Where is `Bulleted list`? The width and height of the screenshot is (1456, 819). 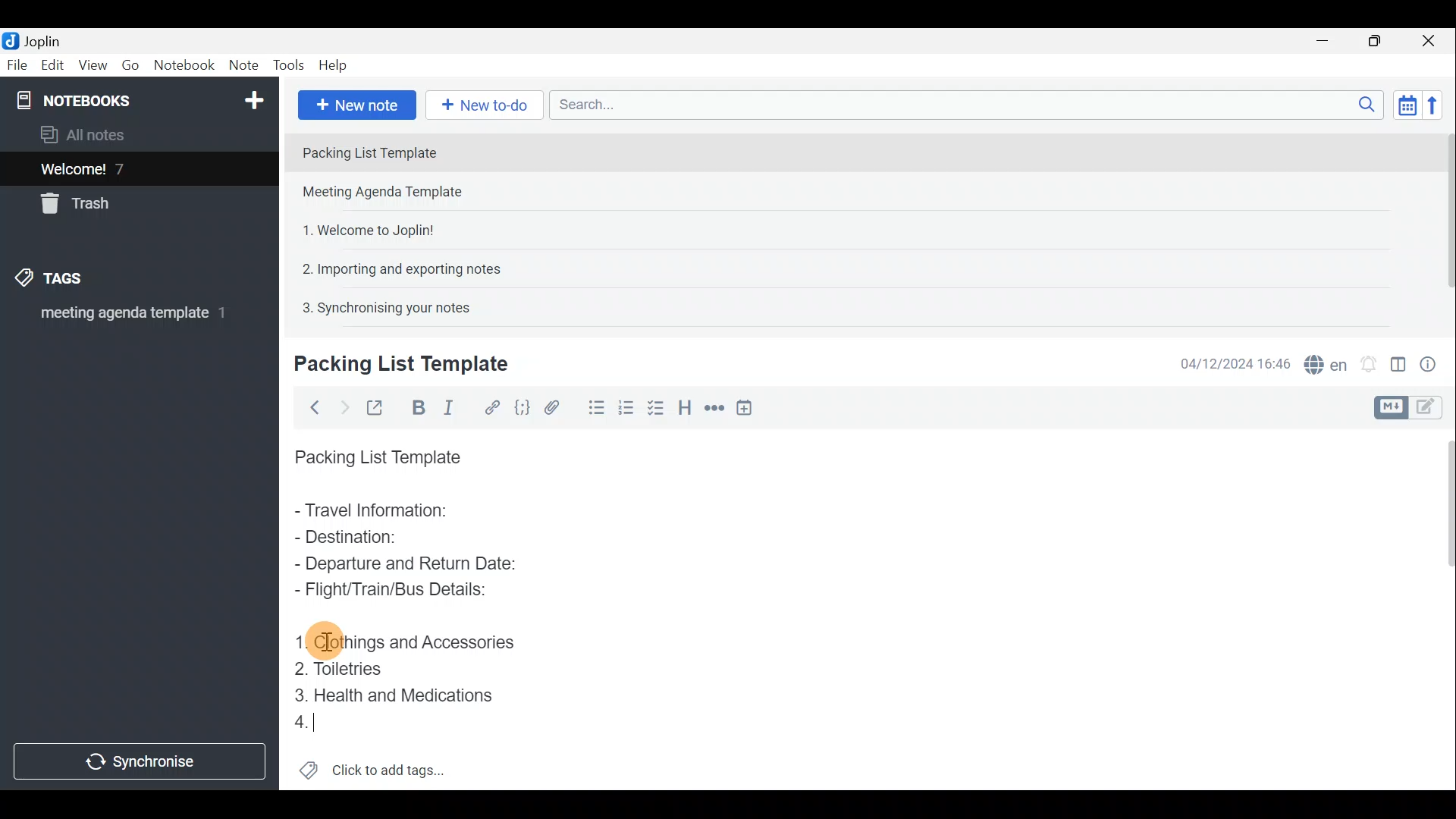
Bulleted list is located at coordinates (591, 410).